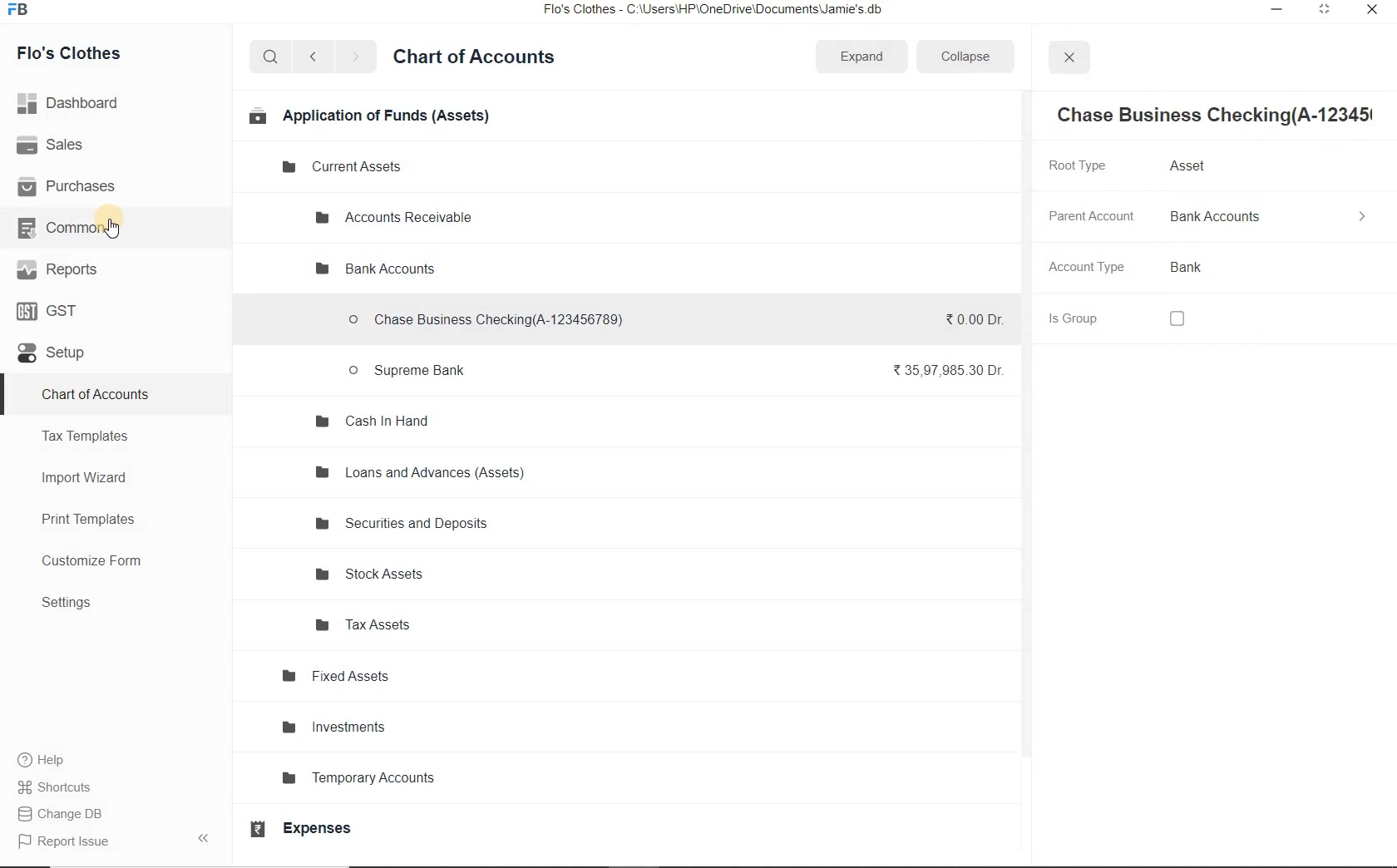  What do you see at coordinates (1195, 163) in the screenshot?
I see `Asset` at bounding box center [1195, 163].